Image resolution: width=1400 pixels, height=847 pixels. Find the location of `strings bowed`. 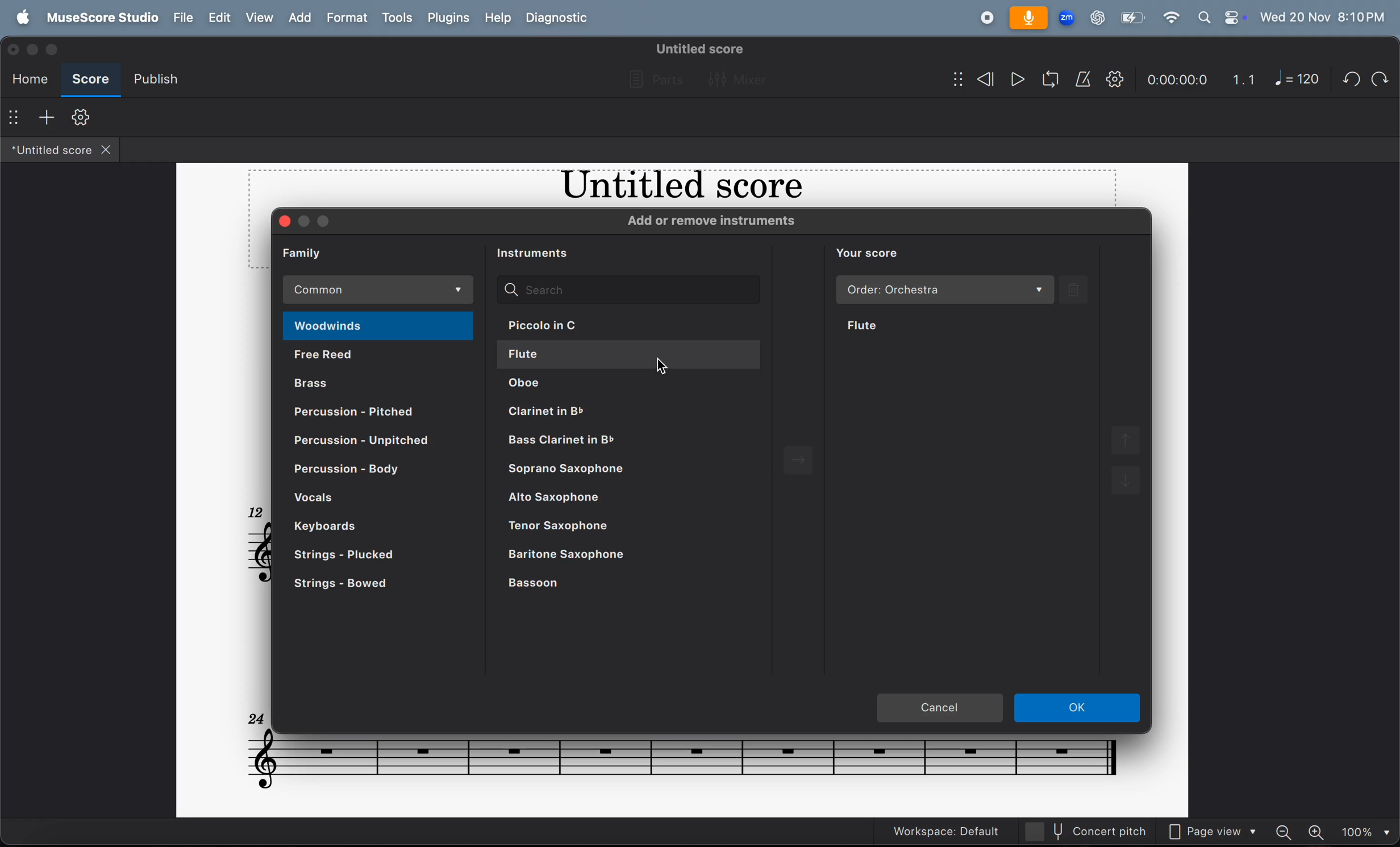

strings bowed is located at coordinates (374, 583).